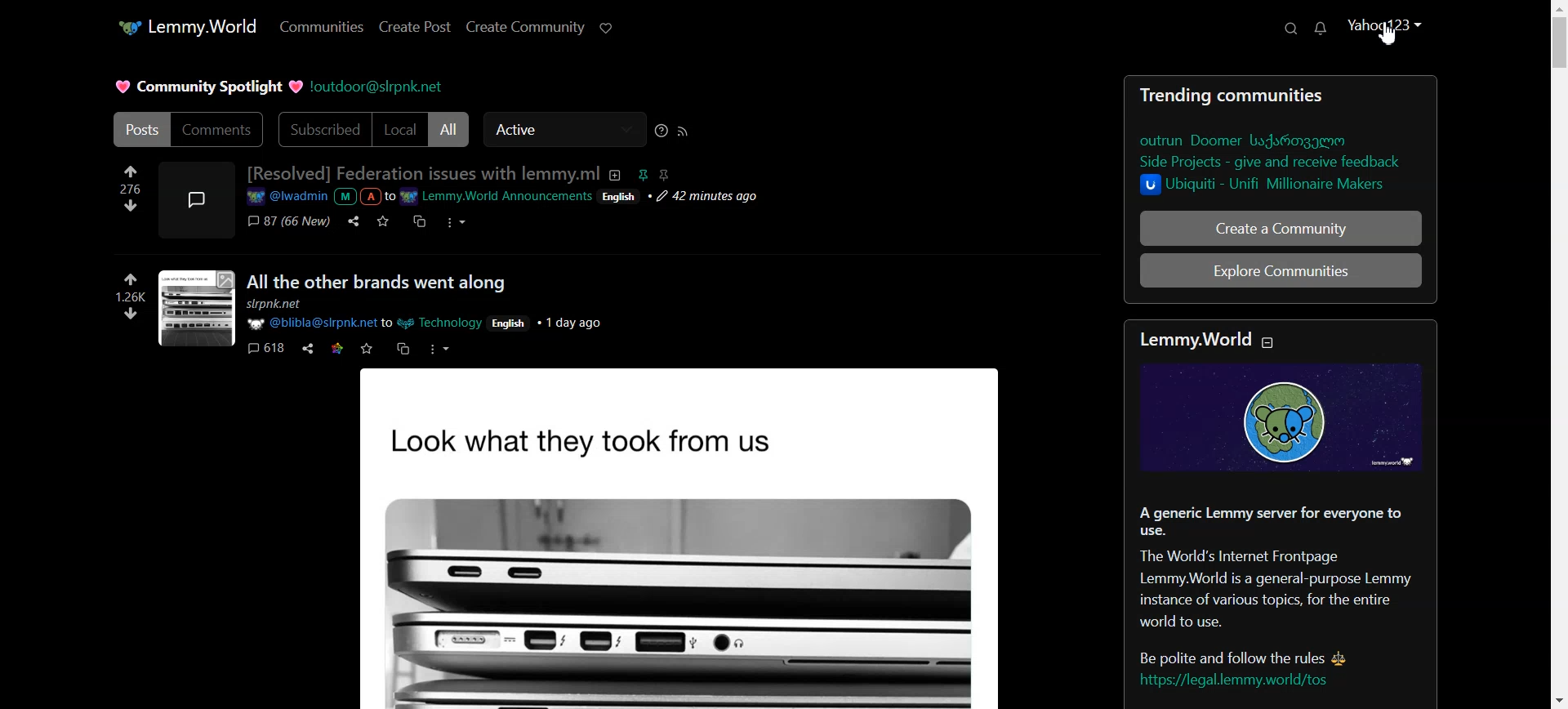  Describe the element at coordinates (608, 28) in the screenshot. I see `Support Limmy` at that location.